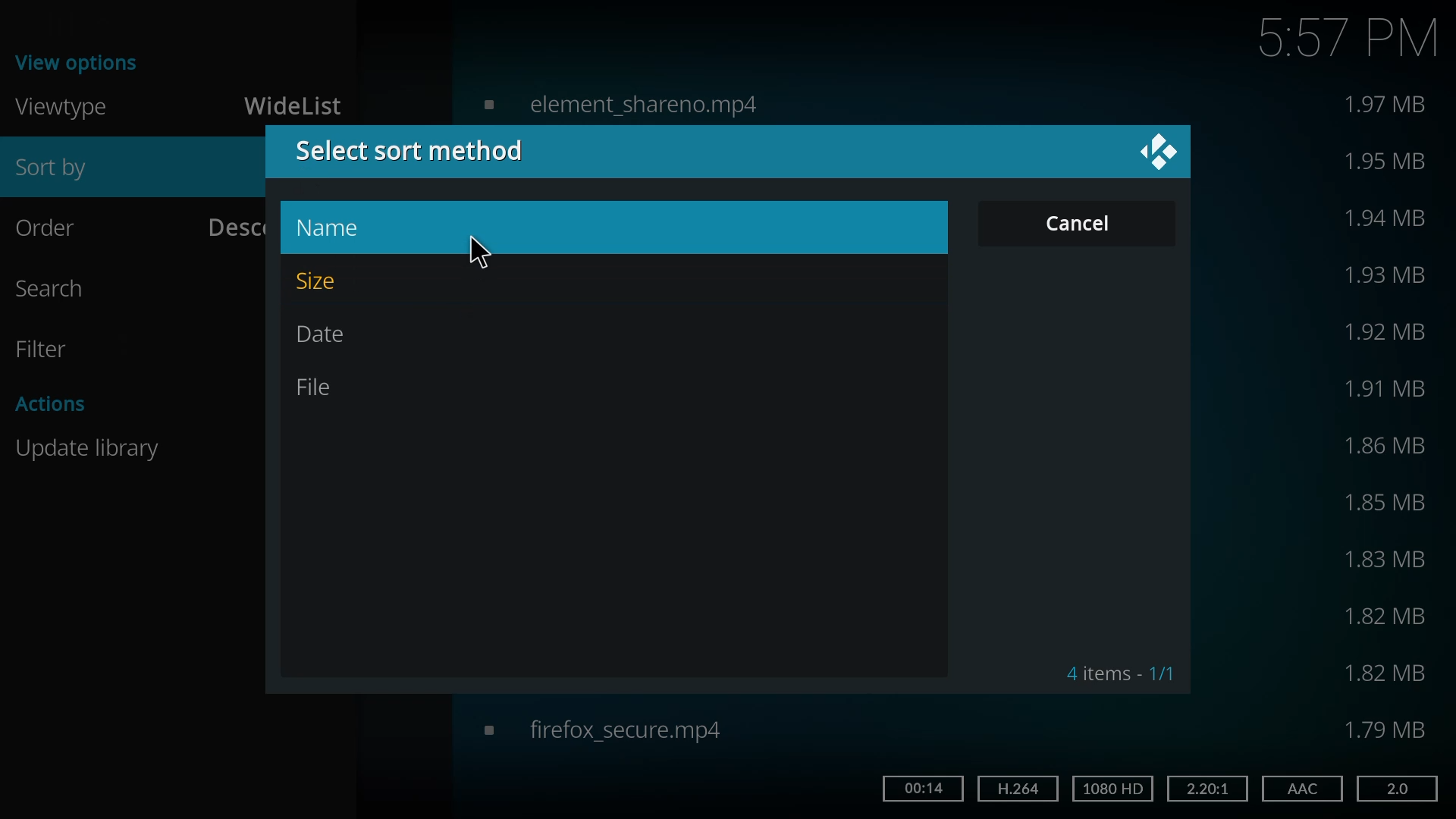 The image size is (1456, 819). Describe the element at coordinates (1204, 787) in the screenshot. I see `2` at that location.